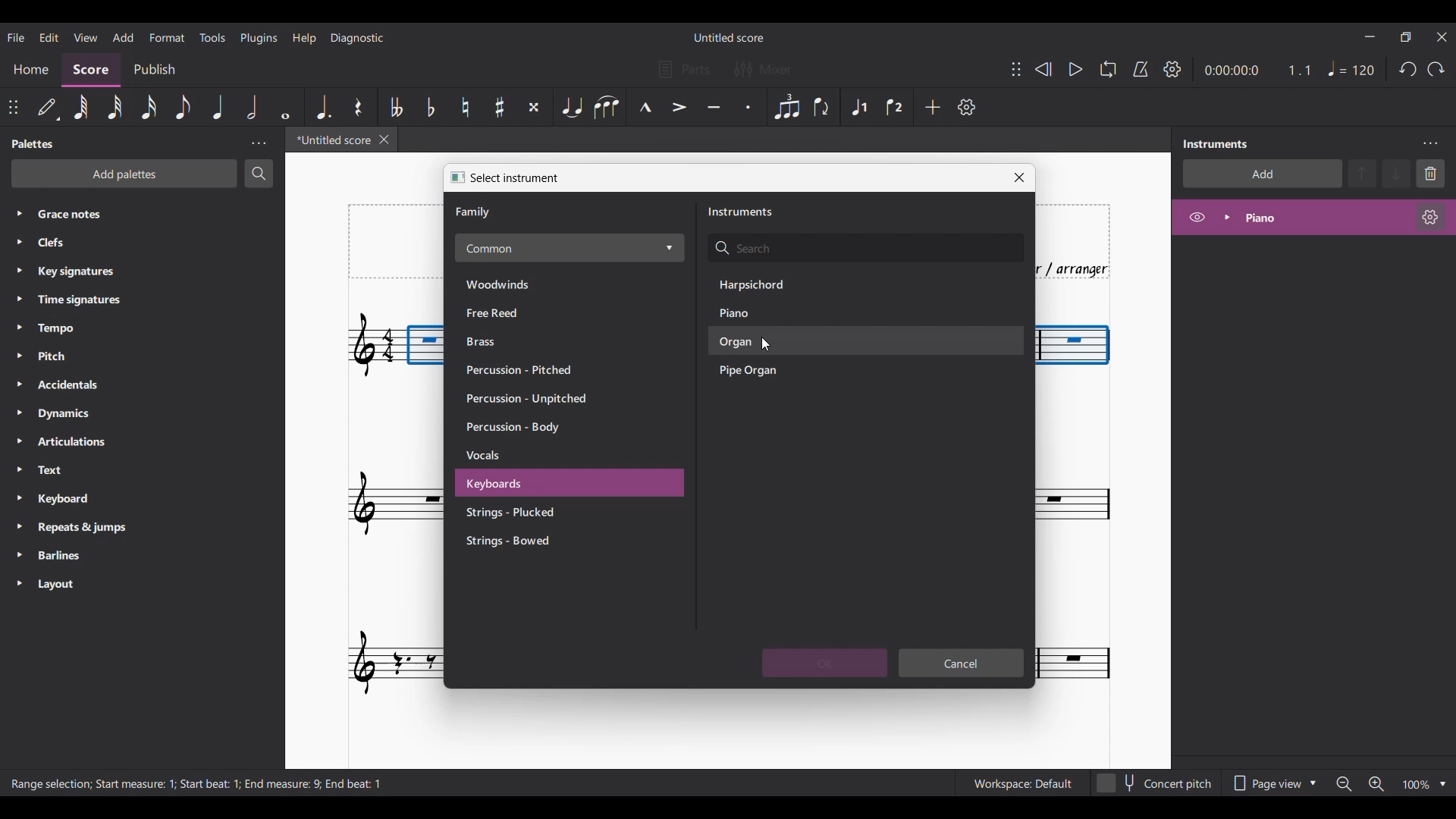  I want to click on Description of current selection, so click(199, 783).